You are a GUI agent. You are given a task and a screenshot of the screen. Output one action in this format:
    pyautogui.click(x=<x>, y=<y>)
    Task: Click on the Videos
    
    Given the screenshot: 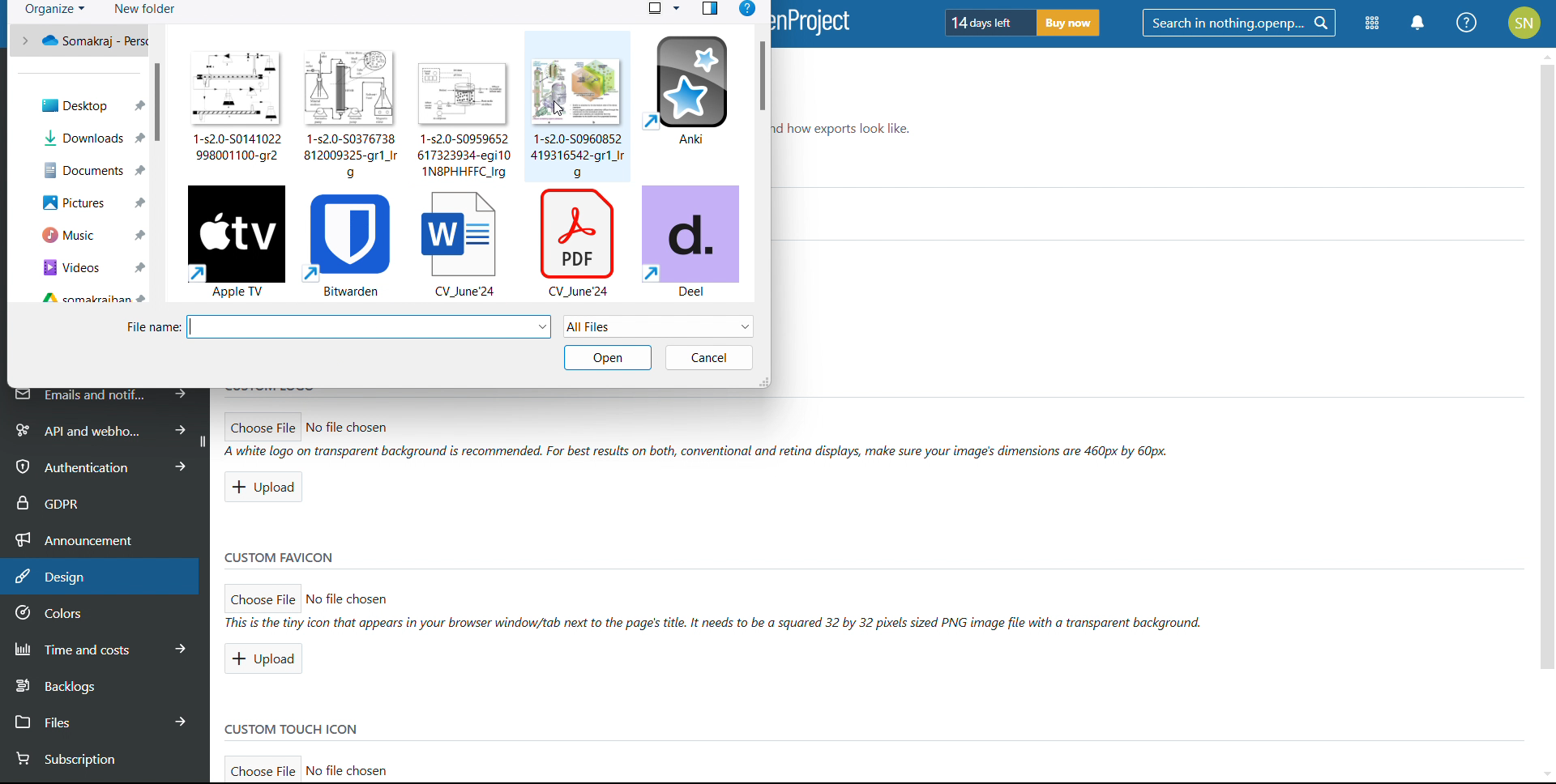 What is the action you would take?
    pyautogui.click(x=83, y=269)
    